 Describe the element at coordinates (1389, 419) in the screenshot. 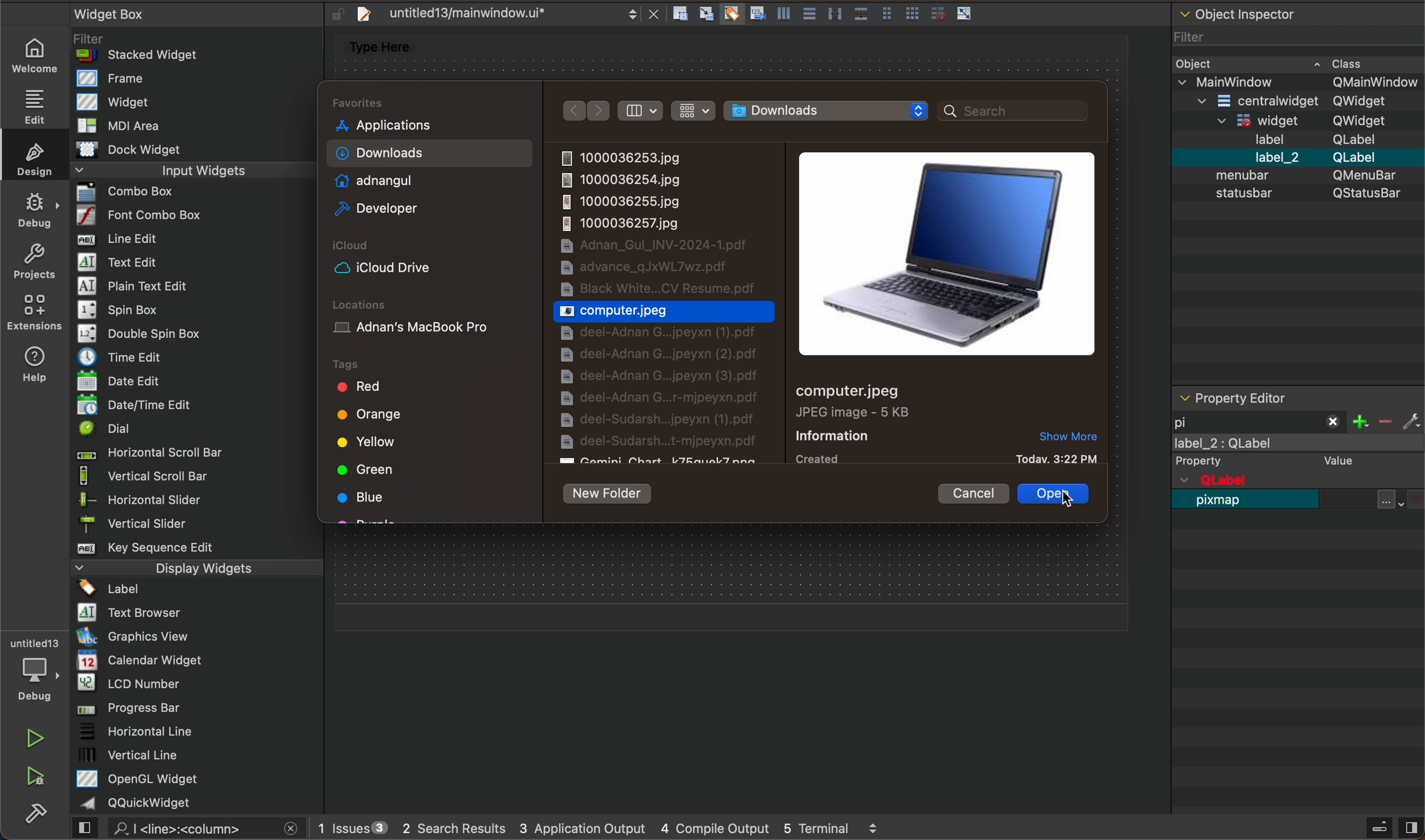

I see `filter` at that location.